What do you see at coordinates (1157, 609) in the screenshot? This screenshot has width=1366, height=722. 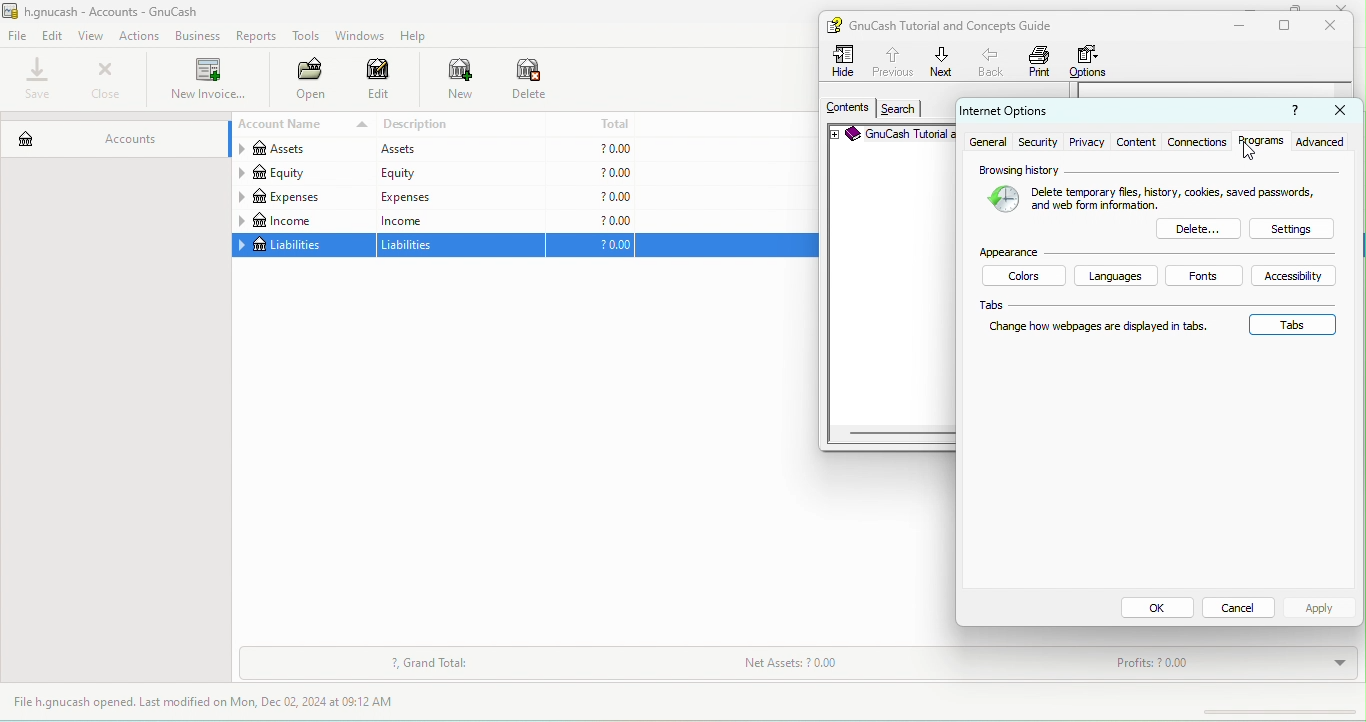 I see `ok` at bounding box center [1157, 609].